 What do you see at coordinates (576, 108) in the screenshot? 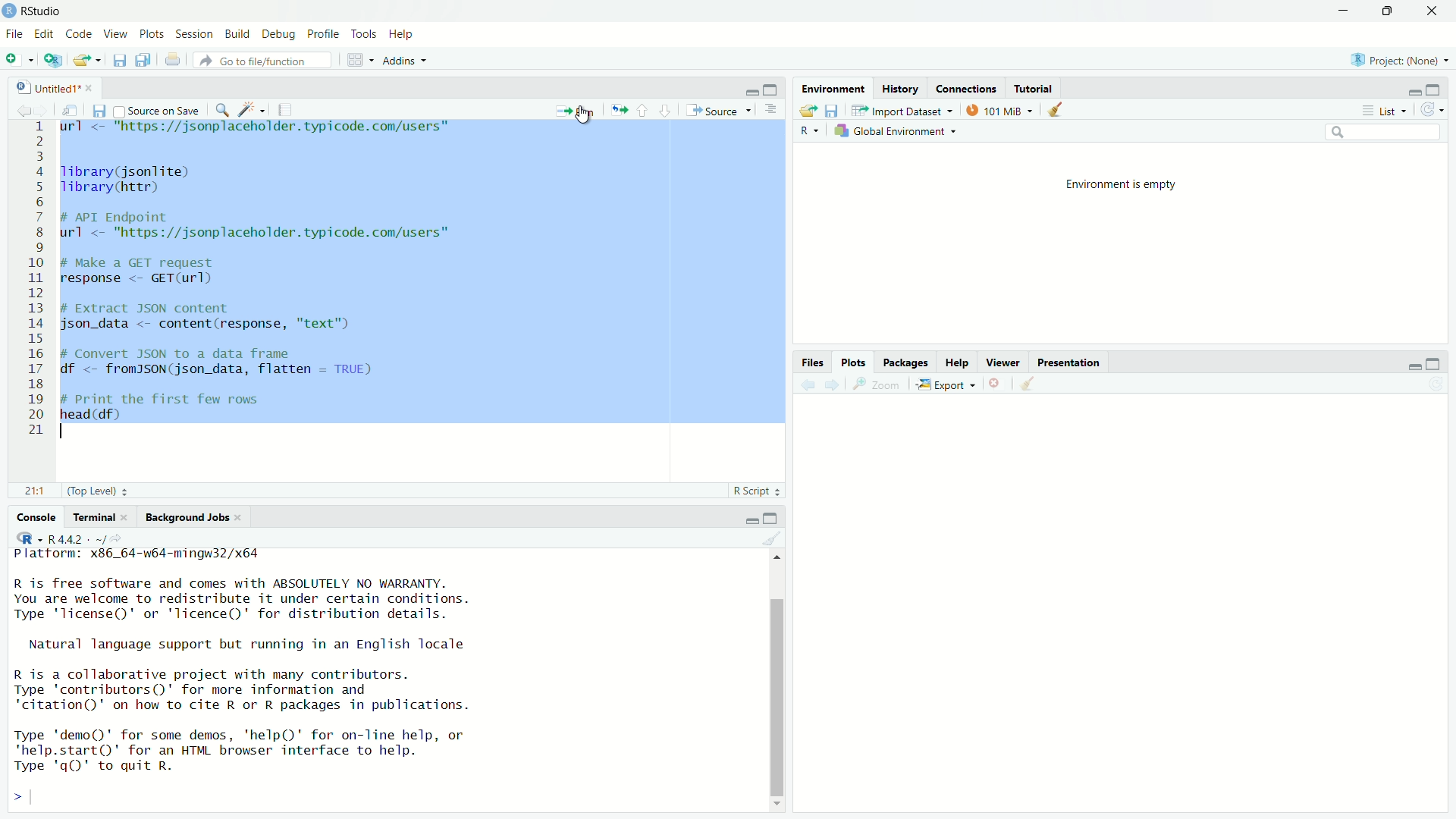
I see `Run` at bounding box center [576, 108].